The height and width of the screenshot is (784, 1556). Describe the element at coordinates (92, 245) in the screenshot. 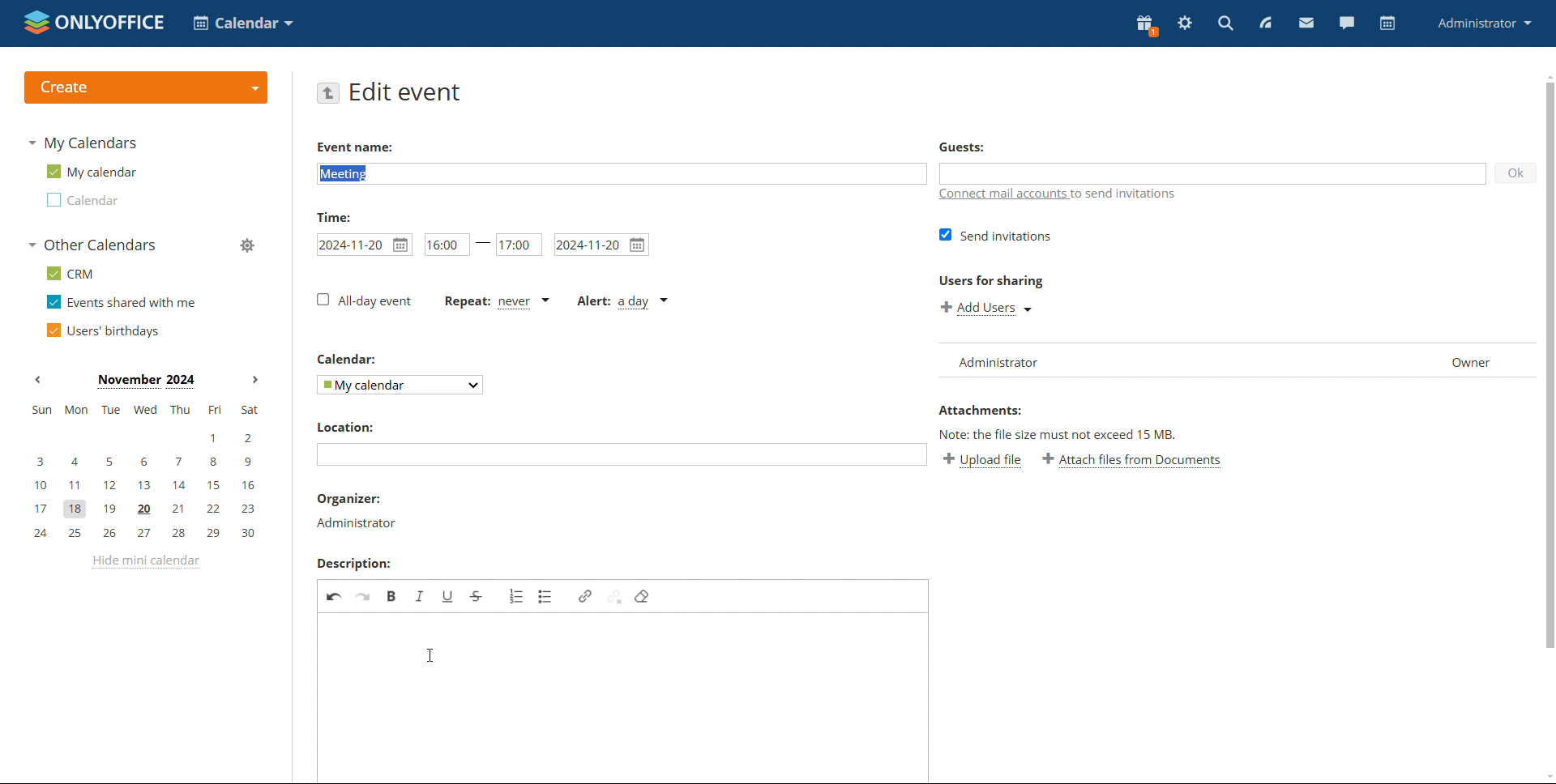

I see `other calendars` at that location.